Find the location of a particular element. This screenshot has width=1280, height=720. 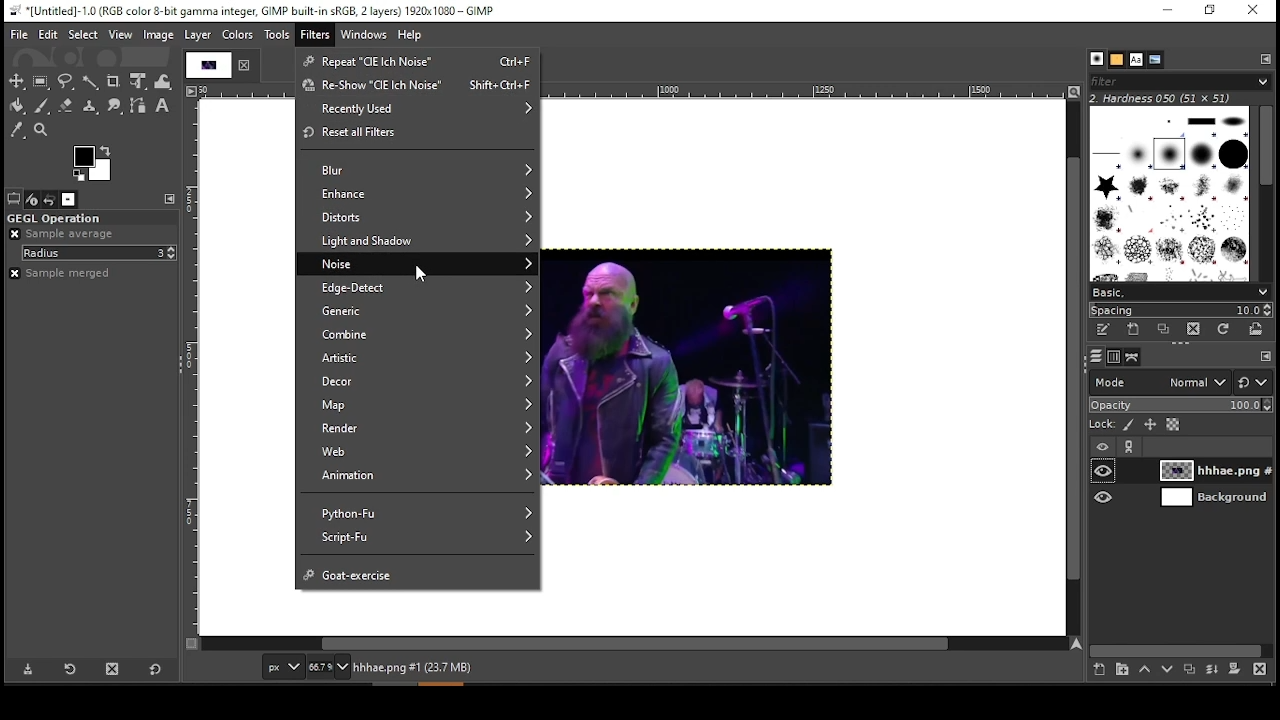

sample average is located at coordinates (64, 234).